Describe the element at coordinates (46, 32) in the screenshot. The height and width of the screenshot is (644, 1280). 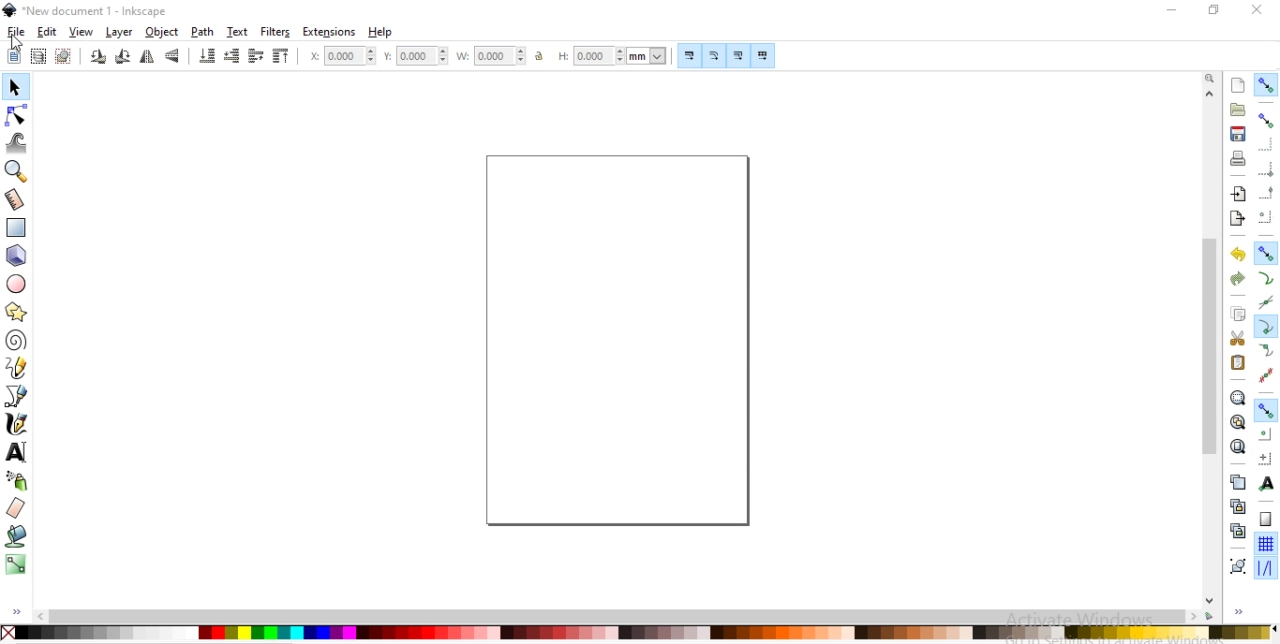
I see `edit` at that location.